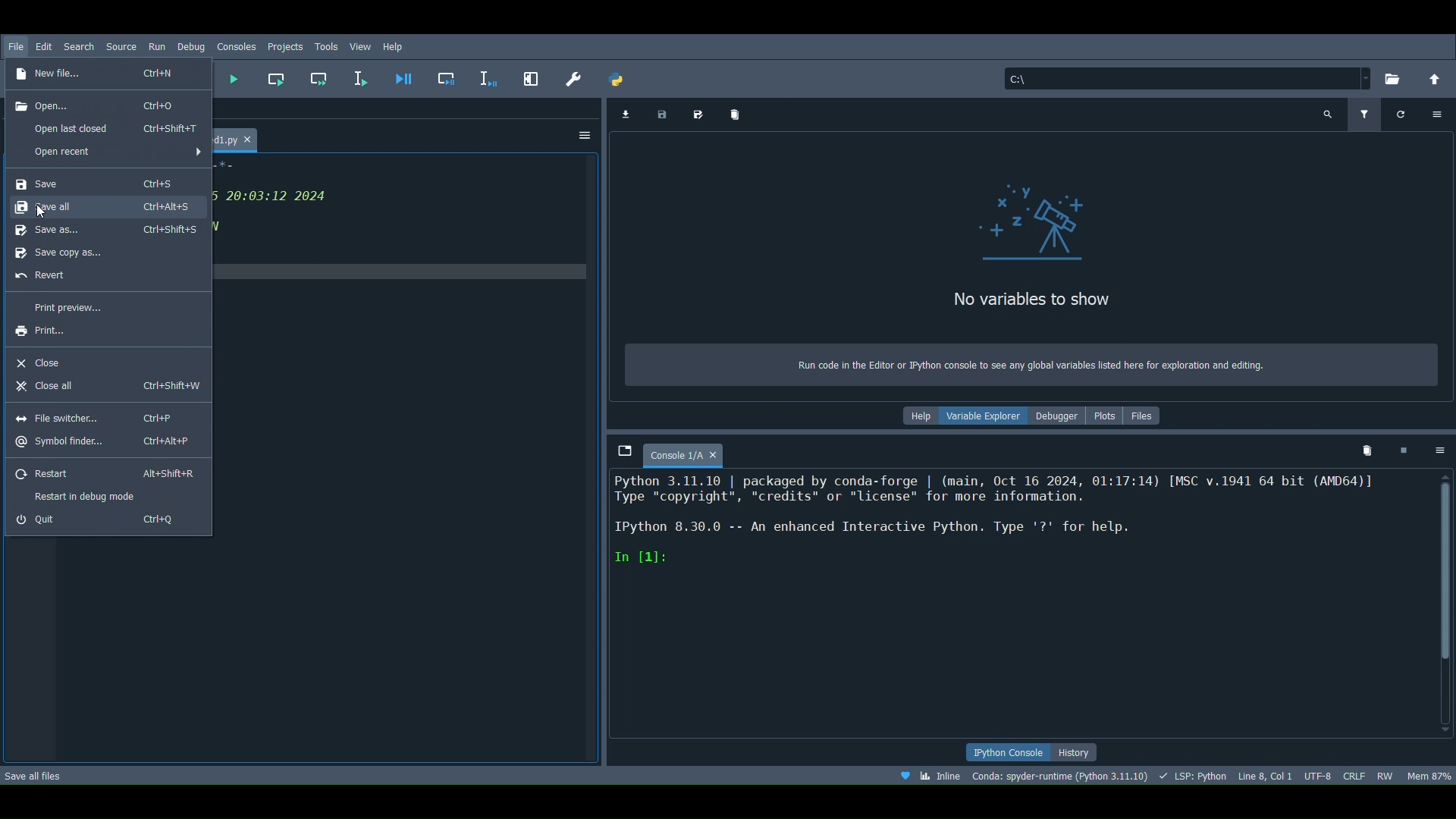 The height and width of the screenshot is (819, 1456). I want to click on Files, so click(1147, 414).